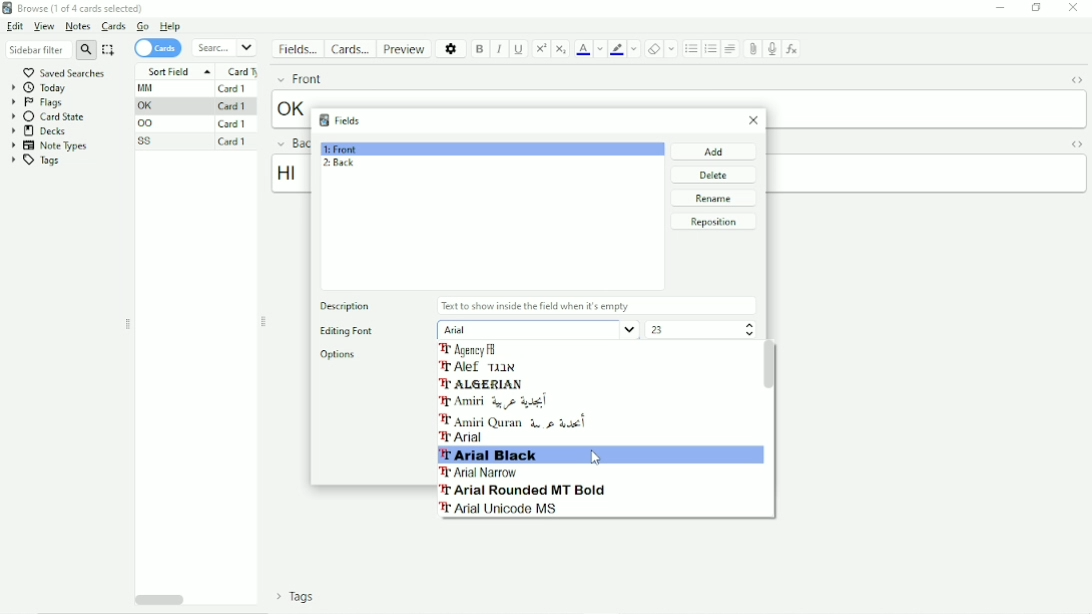 This screenshot has width=1092, height=614. Describe the element at coordinates (465, 438) in the screenshot. I see `Arial` at that location.